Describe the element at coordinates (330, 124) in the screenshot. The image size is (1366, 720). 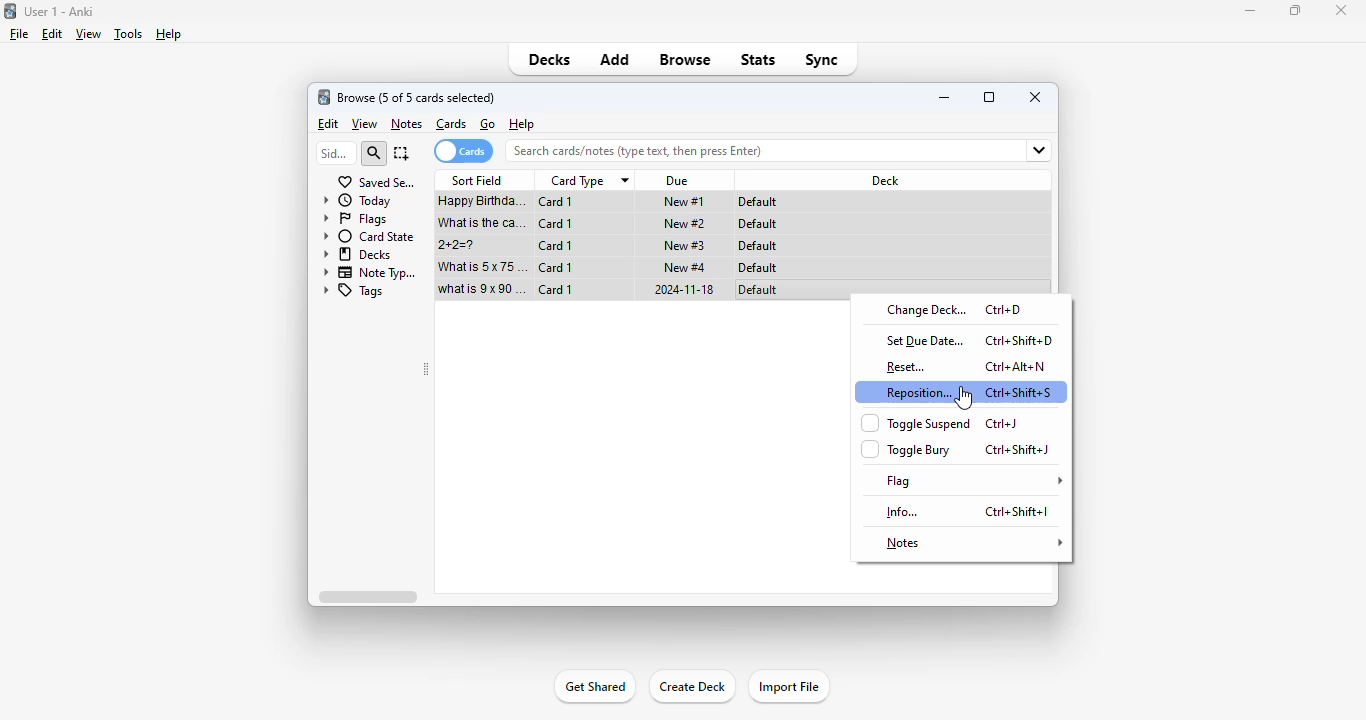
I see `edit` at that location.